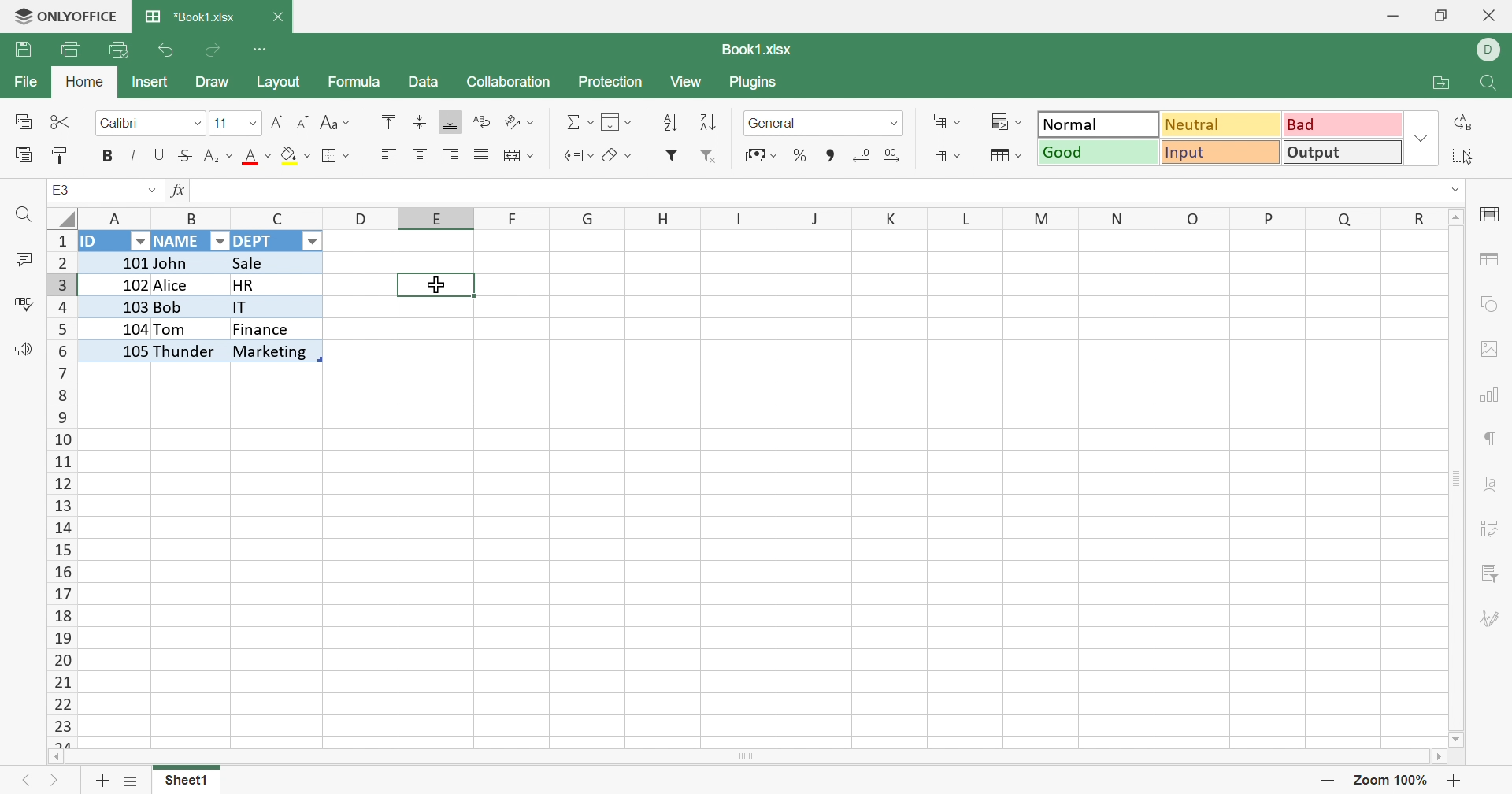 The image size is (1512, 794). I want to click on Alice, so click(176, 286).